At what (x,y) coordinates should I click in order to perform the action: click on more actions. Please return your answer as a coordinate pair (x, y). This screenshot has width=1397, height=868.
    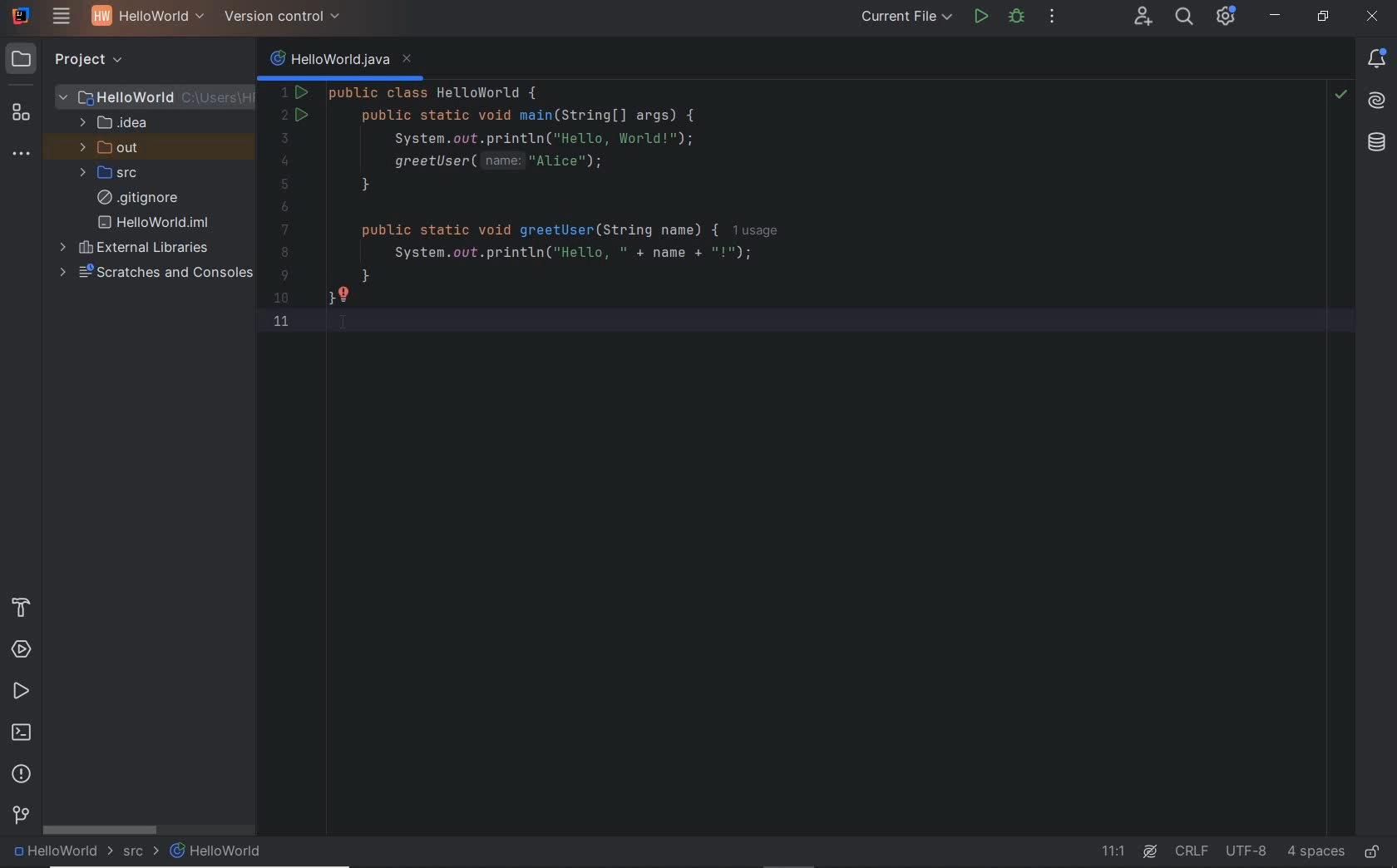
    Looking at the image, I should click on (1053, 20).